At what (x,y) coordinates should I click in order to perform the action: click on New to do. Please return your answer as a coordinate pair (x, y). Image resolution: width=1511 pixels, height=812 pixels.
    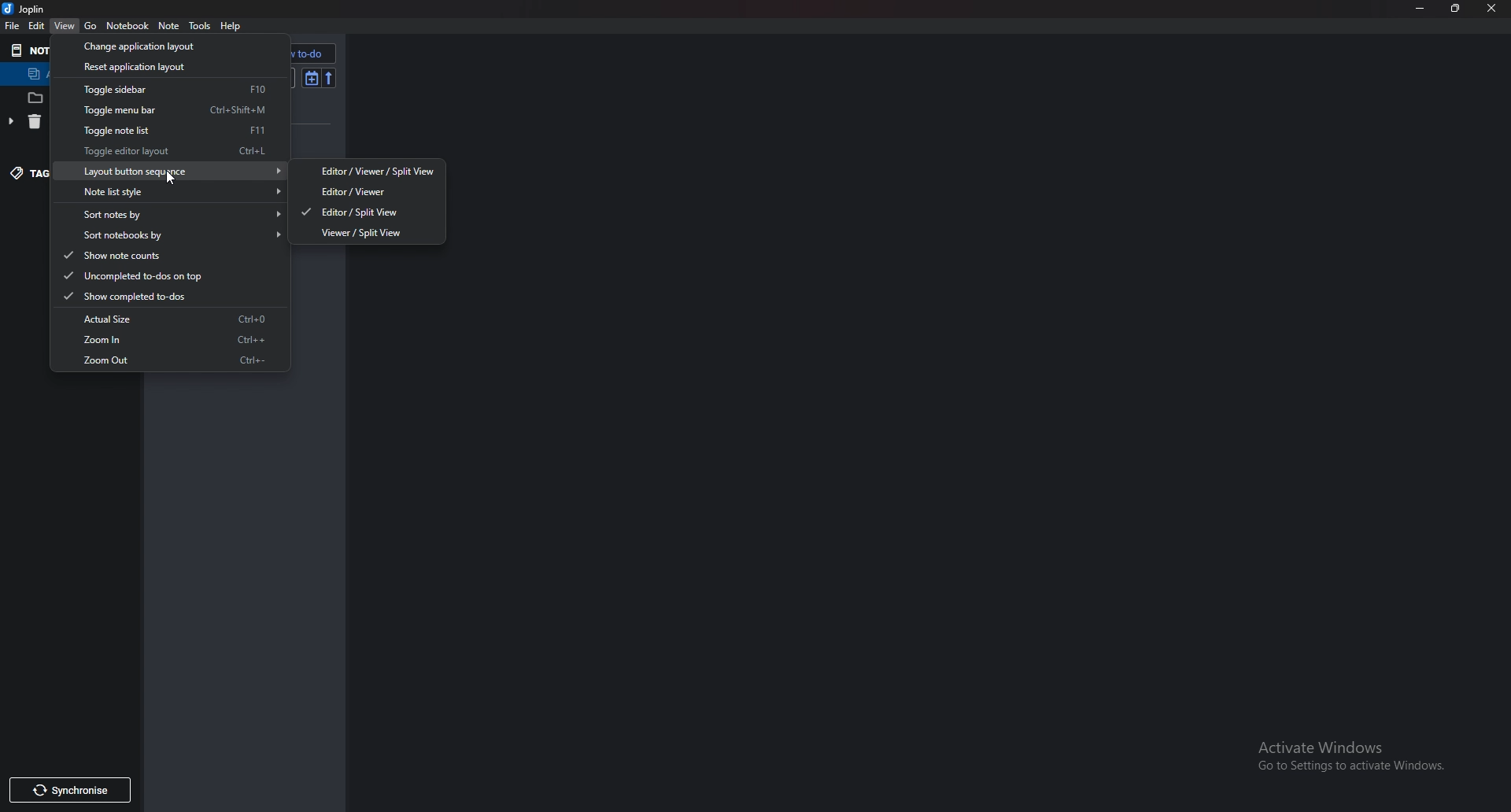
    Looking at the image, I should click on (291, 54).